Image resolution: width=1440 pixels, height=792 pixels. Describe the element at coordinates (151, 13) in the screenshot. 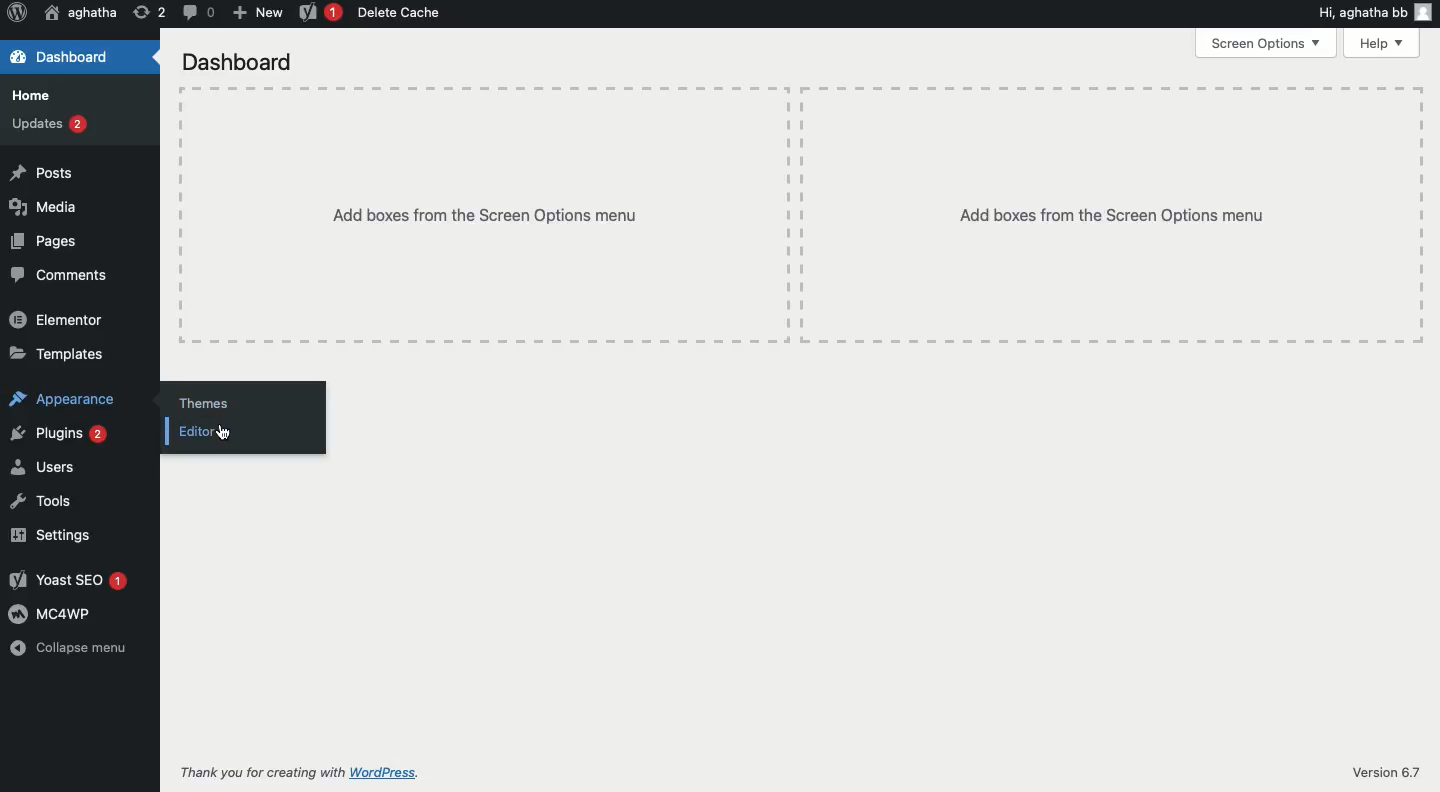

I see `Revision` at that location.